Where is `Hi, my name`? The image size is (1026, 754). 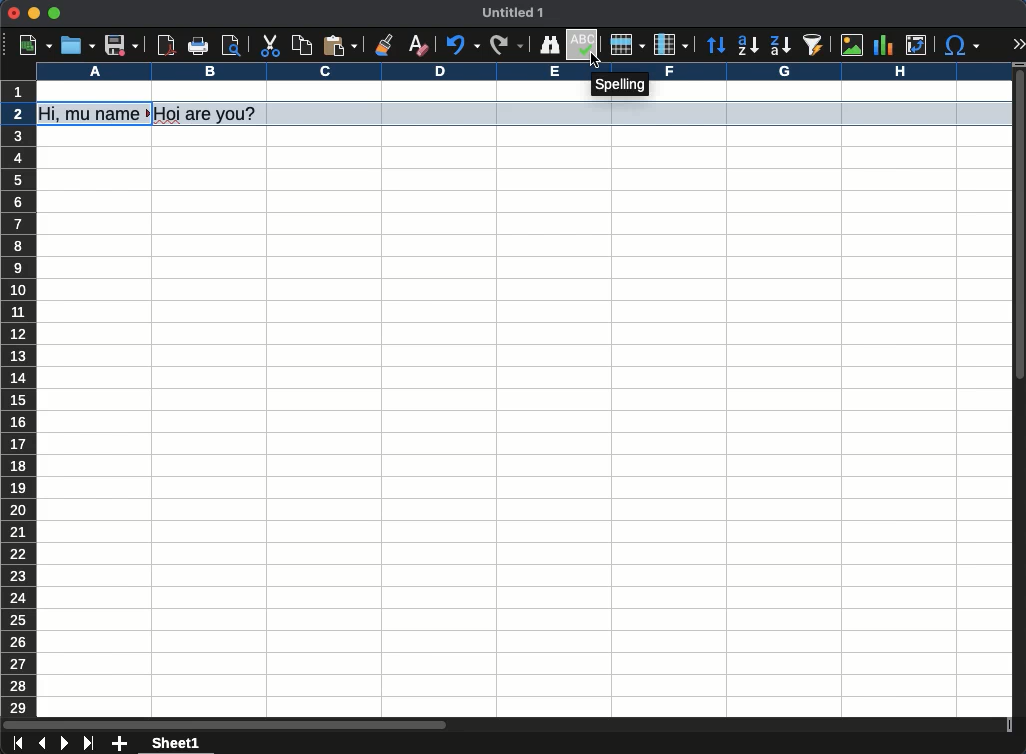 Hi, my name is located at coordinates (94, 114).